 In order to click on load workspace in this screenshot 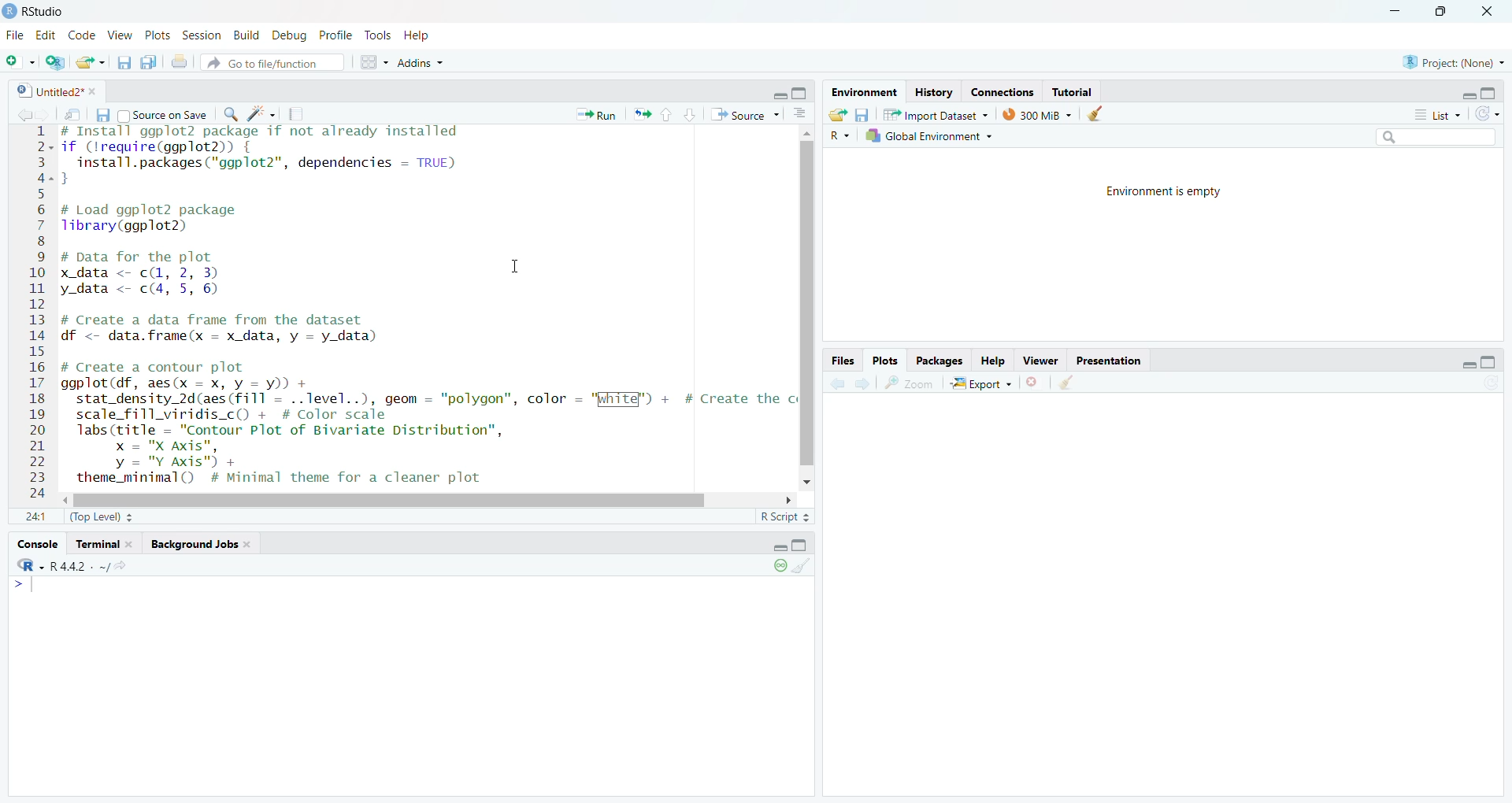, I will do `click(839, 115)`.